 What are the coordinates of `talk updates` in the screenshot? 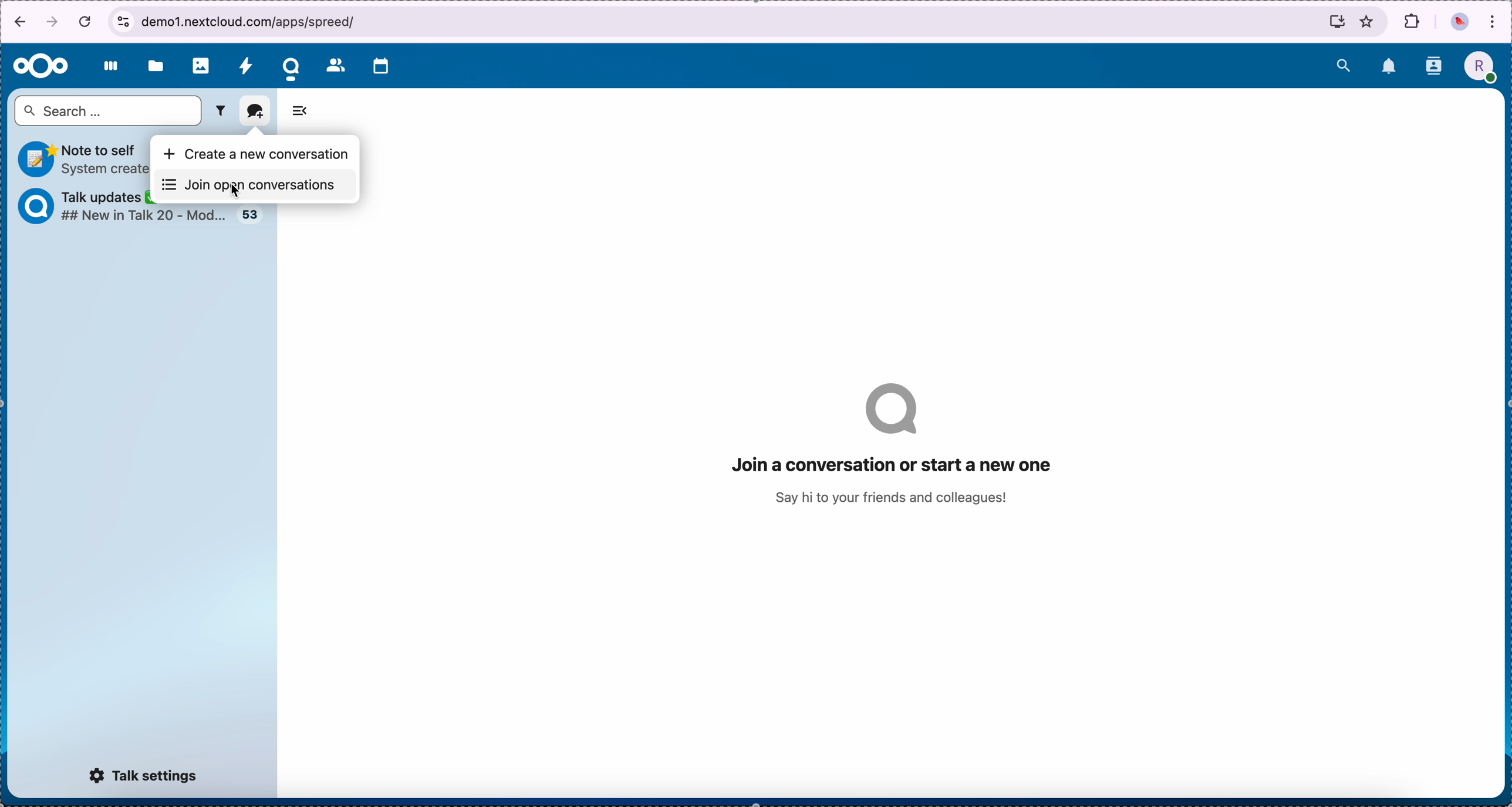 It's located at (247, 216).